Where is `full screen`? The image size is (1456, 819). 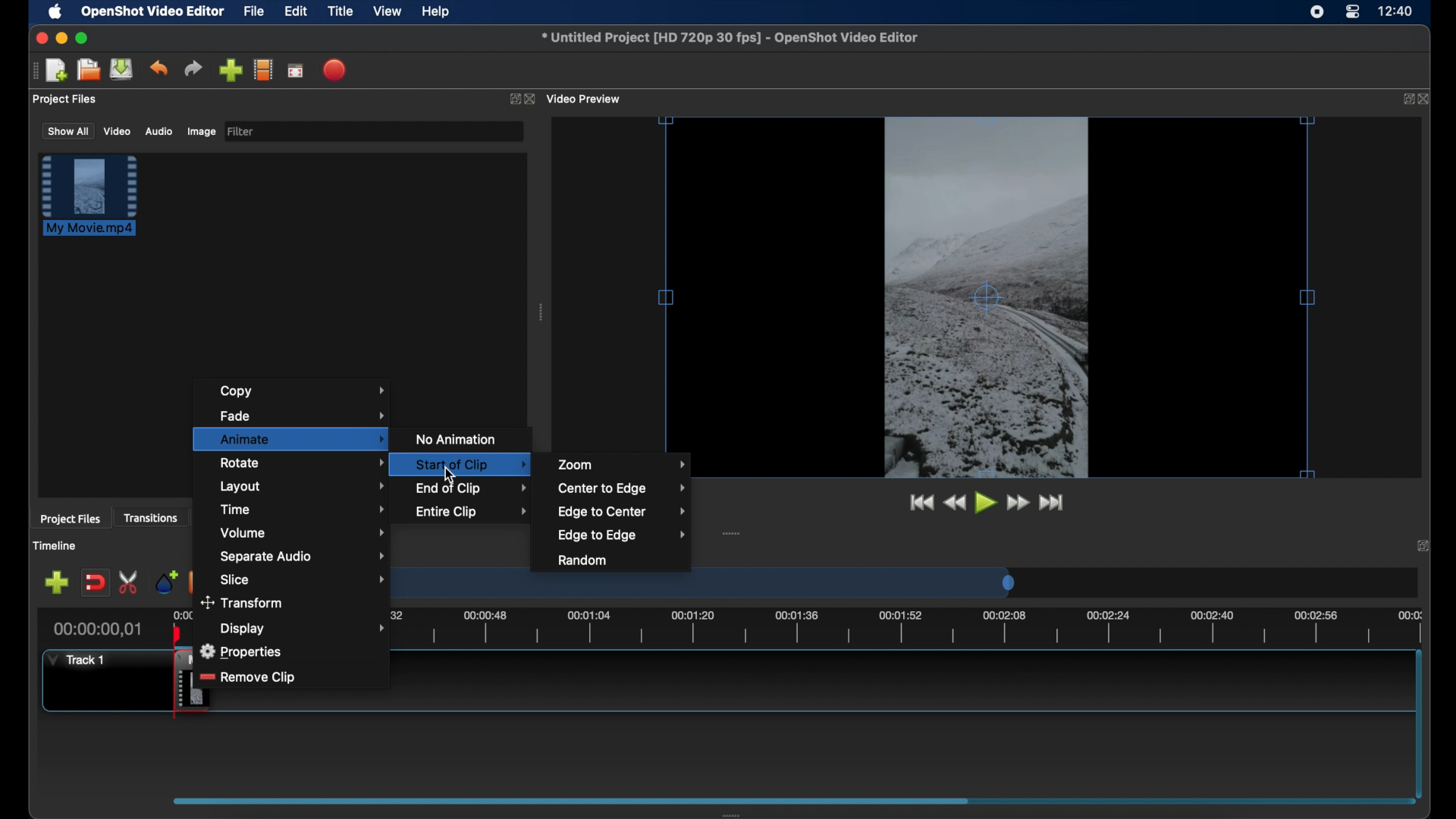 full screen is located at coordinates (295, 71).